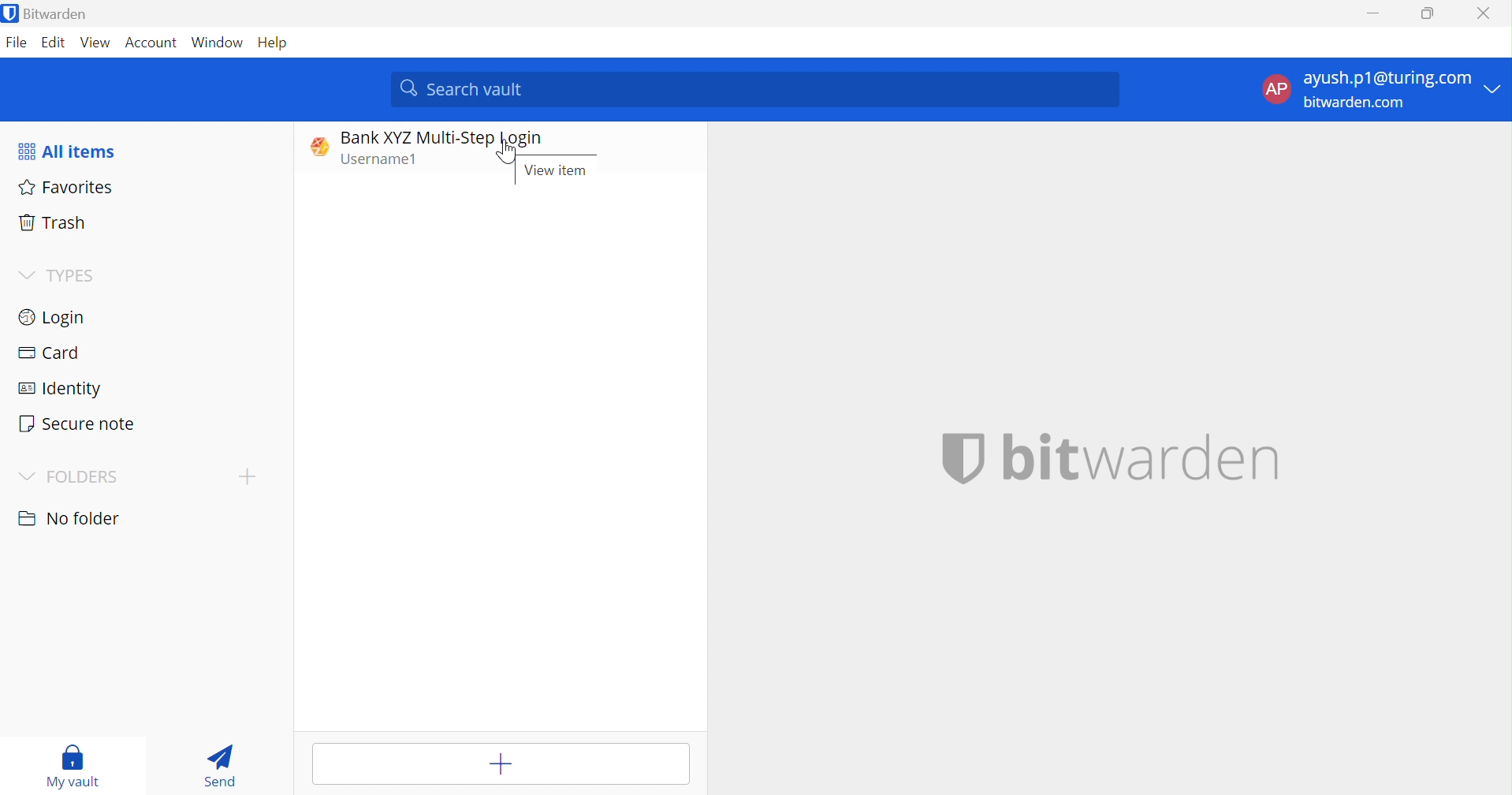 The image size is (1512, 795). Describe the element at coordinates (1115, 457) in the screenshot. I see `bitwarden` at that location.